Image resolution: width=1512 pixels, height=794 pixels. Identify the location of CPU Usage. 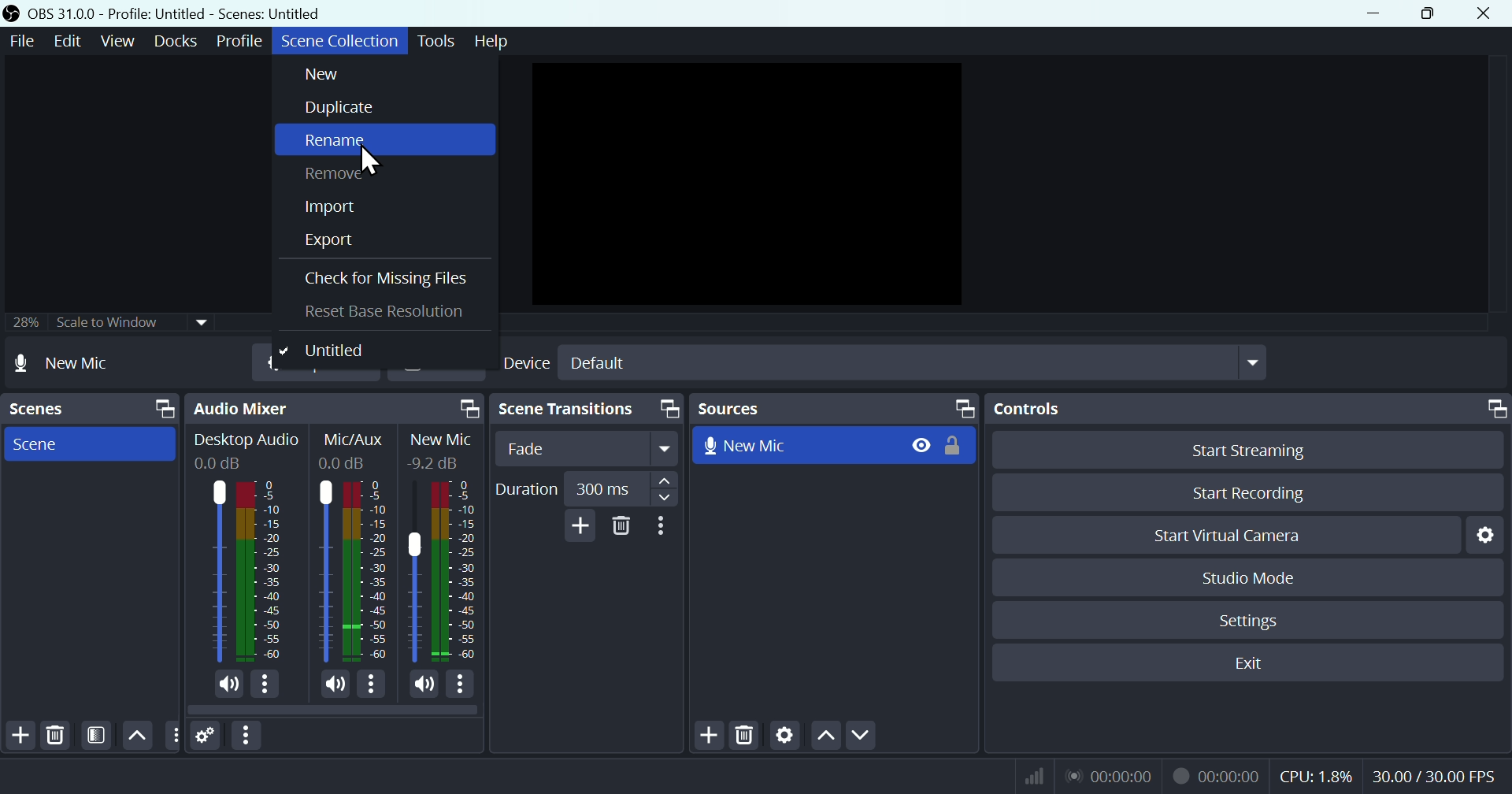
(1318, 777).